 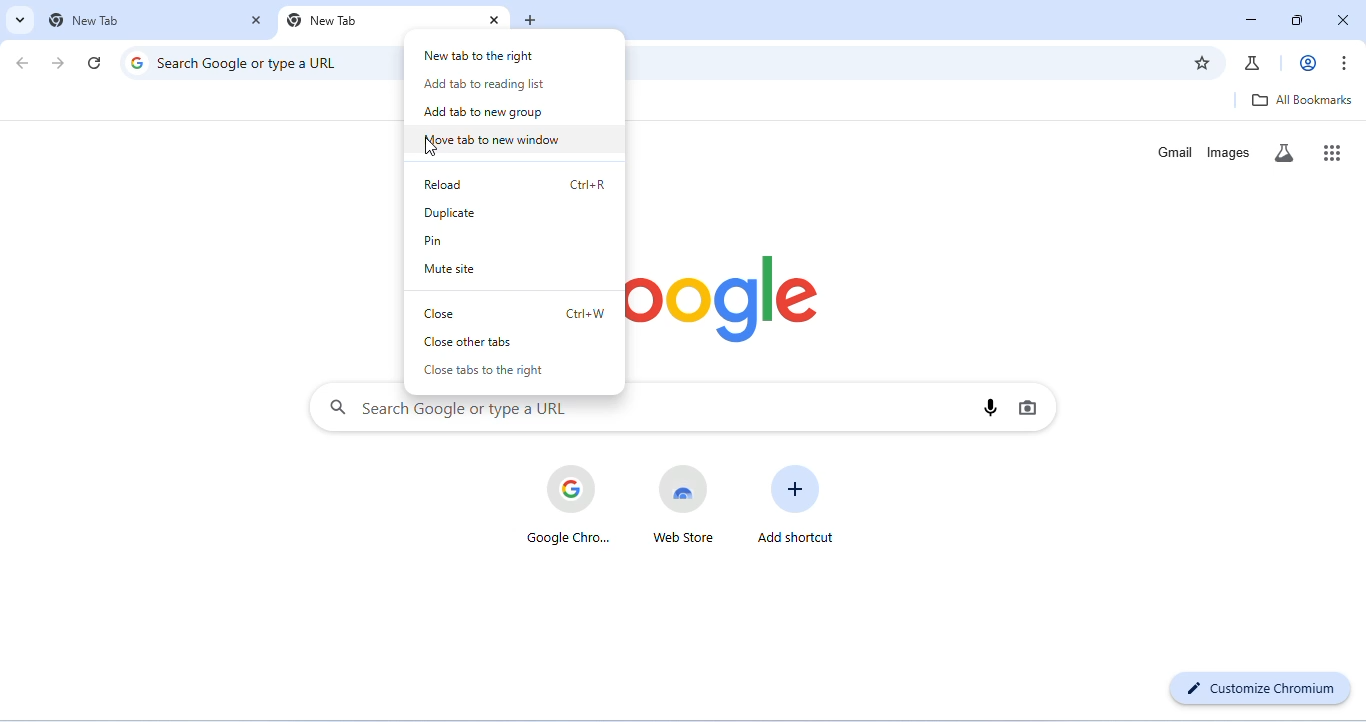 What do you see at coordinates (1029, 407) in the screenshot?
I see `image search` at bounding box center [1029, 407].